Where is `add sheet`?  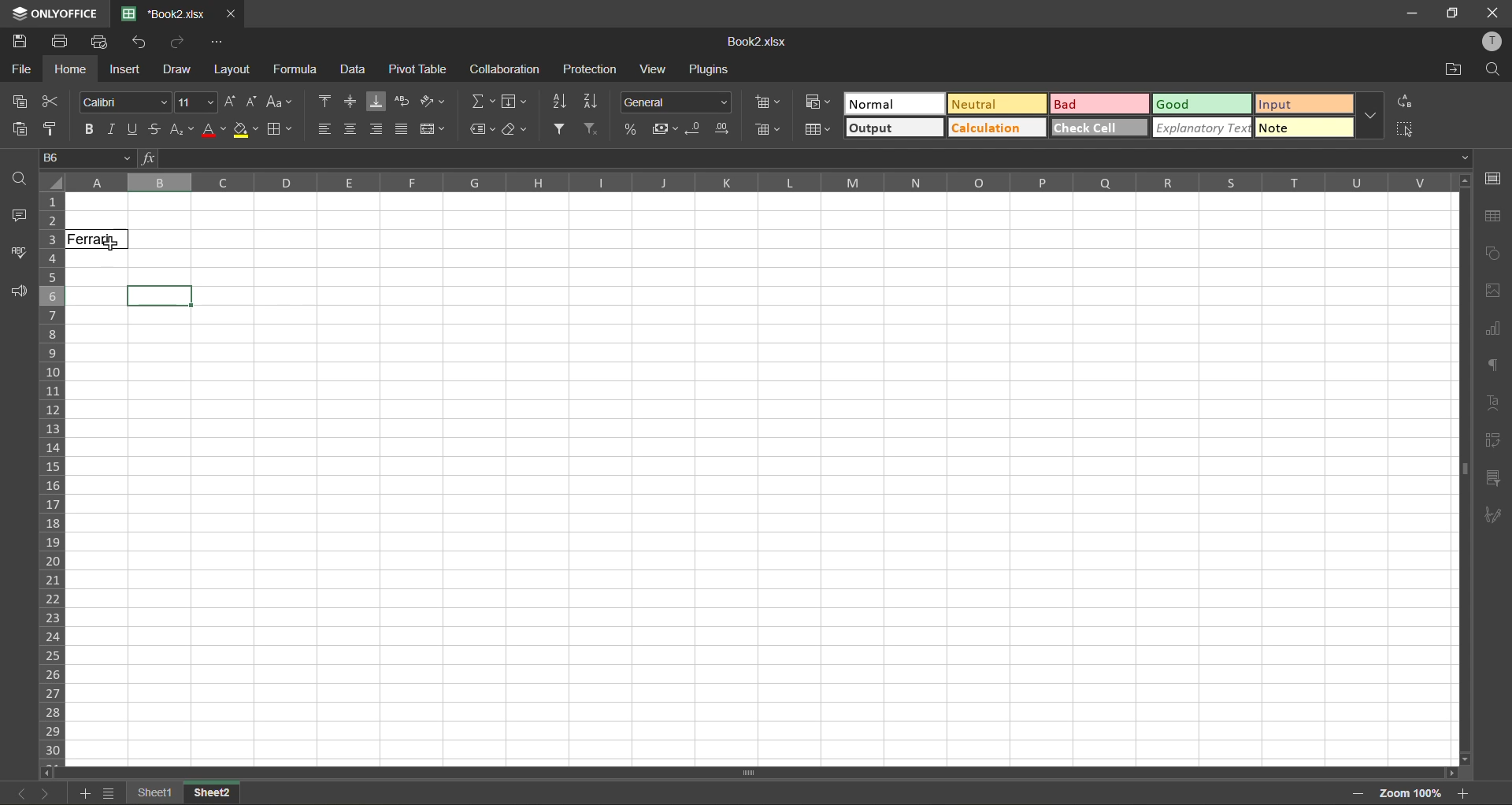
add sheet is located at coordinates (82, 793).